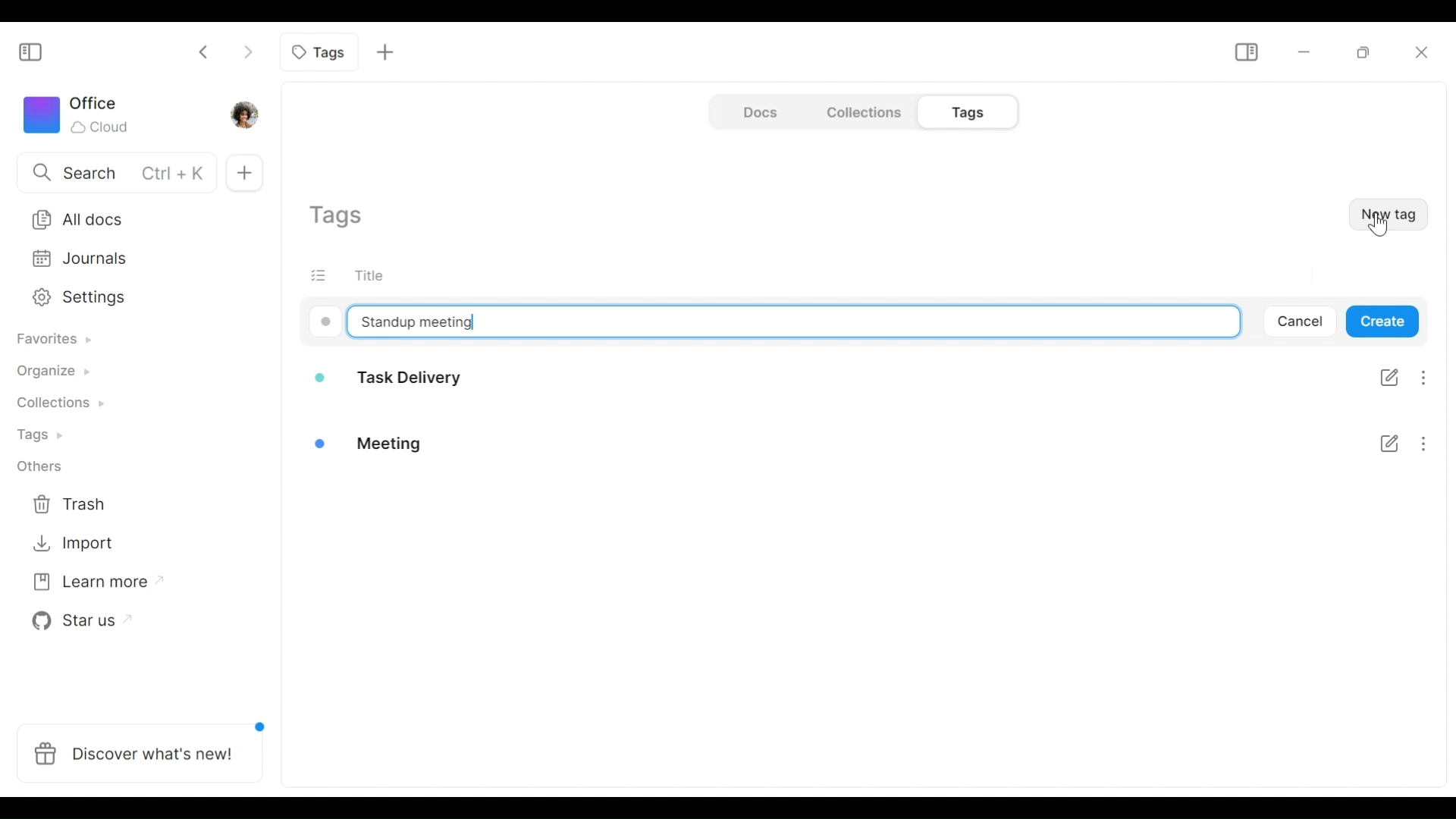 The width and height of the screenshot is (1456, 819). Describe the element at coordinates (87, 113) in the screenshot. I see `Workspace` at that location.